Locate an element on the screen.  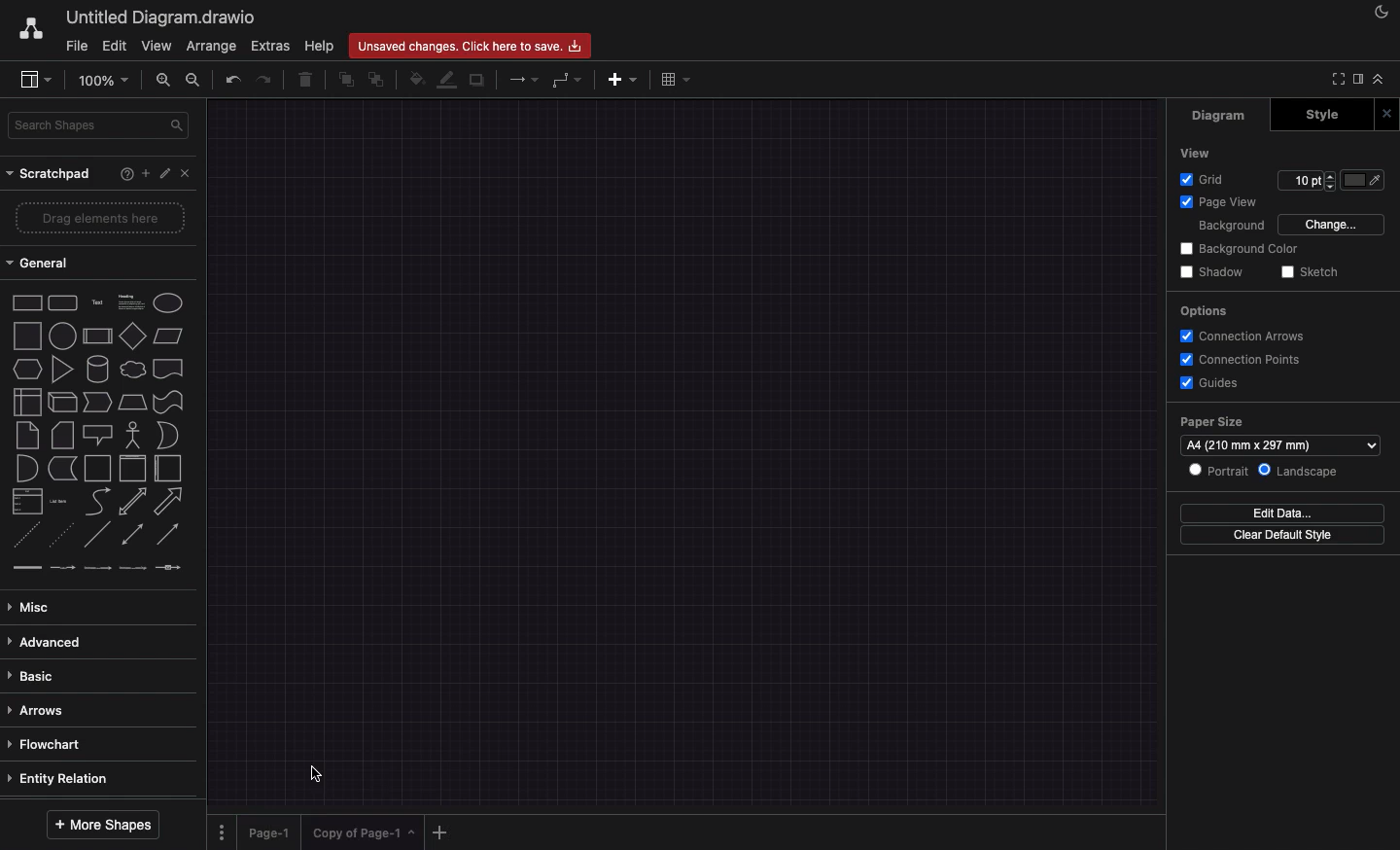
connection points is located at coordinates (1243, 359).